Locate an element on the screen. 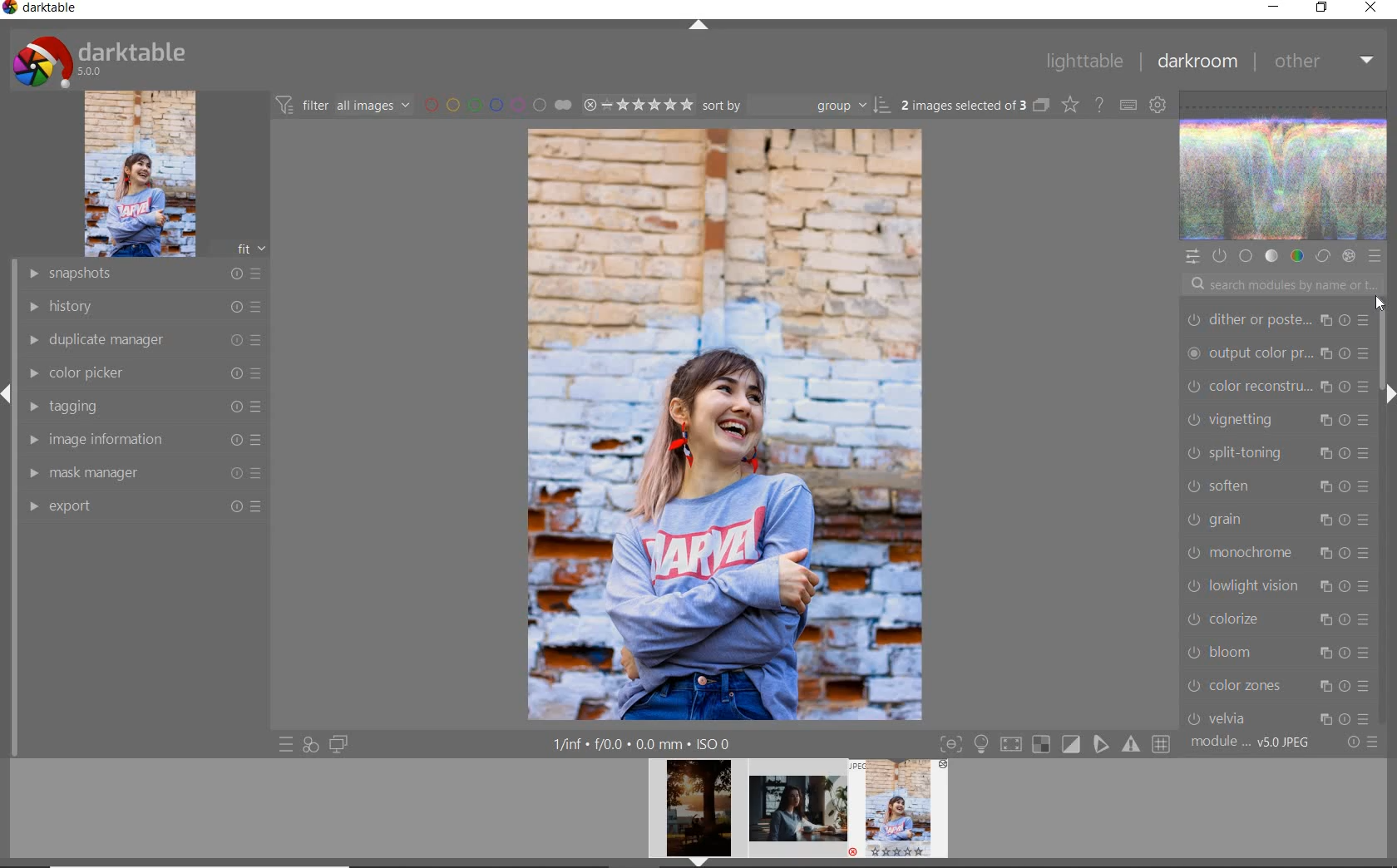  retouch is located at coordinates (1281, 451).